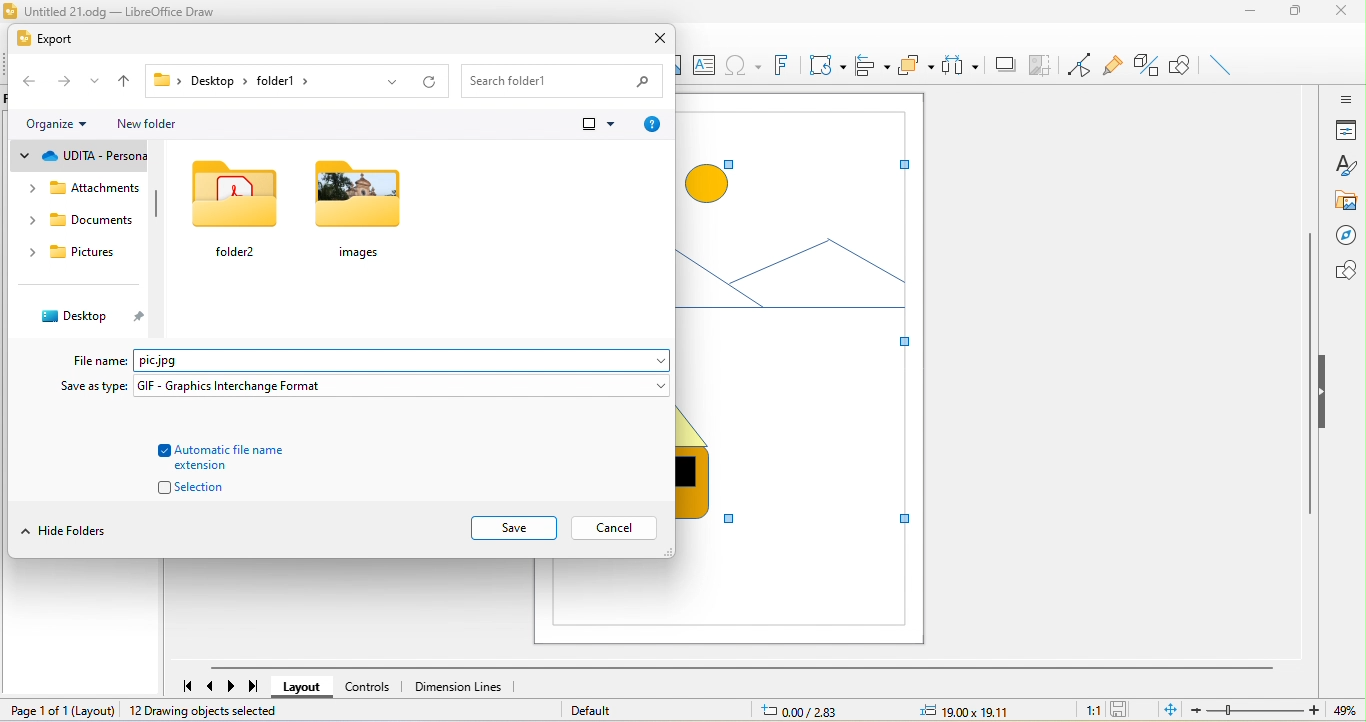 The height and width of the screenshot is (722, 1366). I want to click on save, so click(513, 529).